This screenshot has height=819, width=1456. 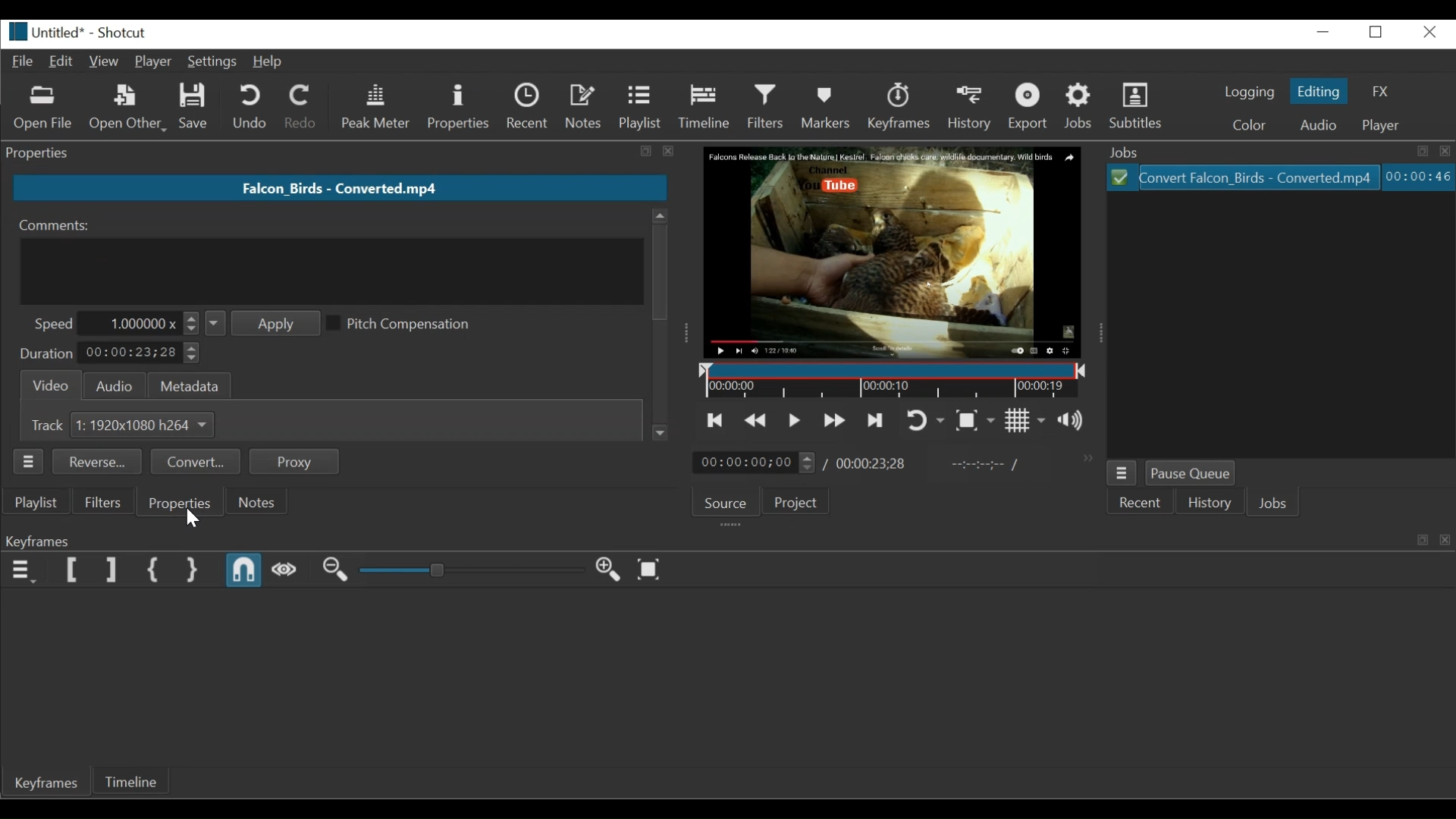 What do you see at coordinates (1325, 34) in the screenshot?
I see `minimize` at bounding box center [1325, 34].